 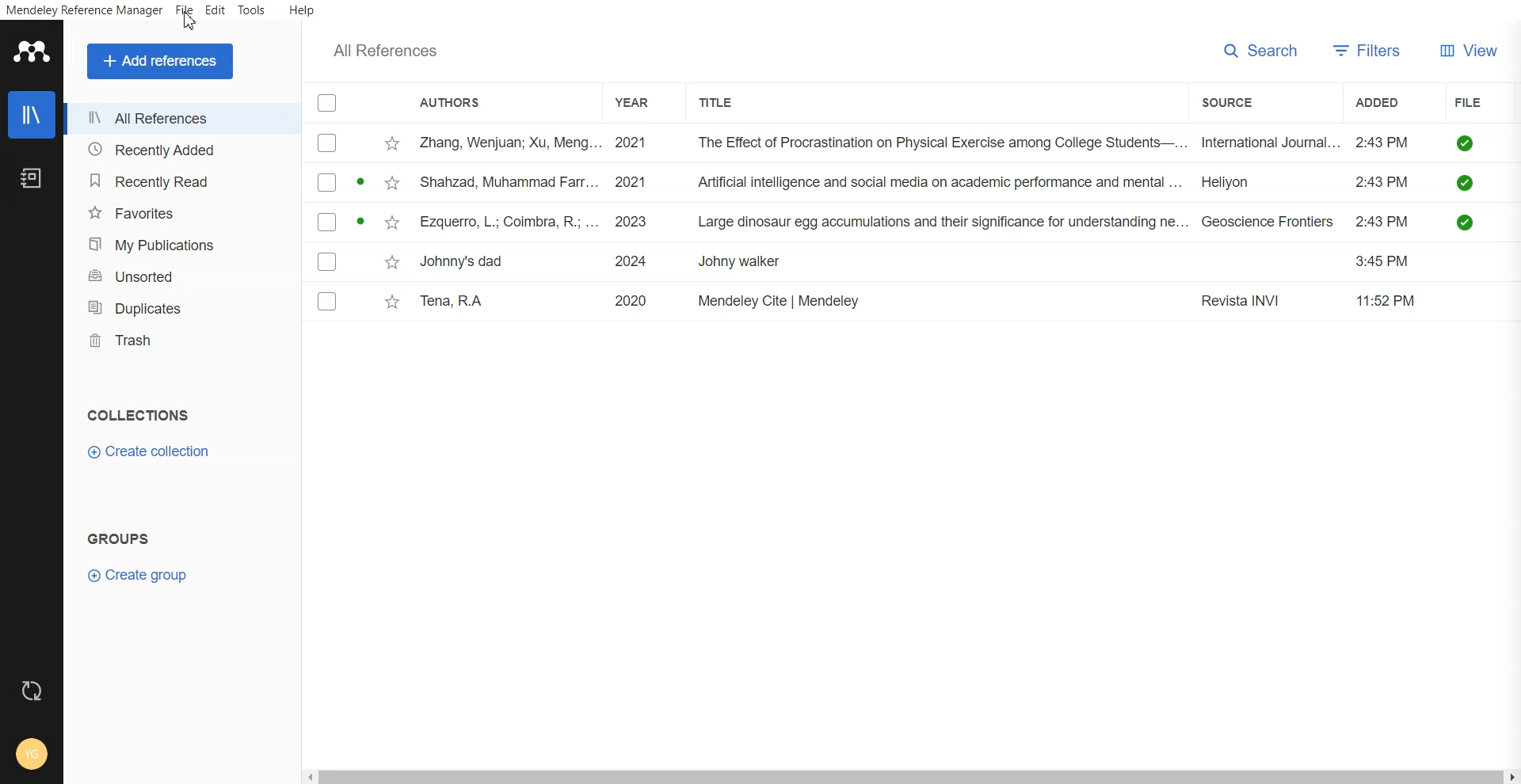 I want to click on Library, so click(x=31, y=115).